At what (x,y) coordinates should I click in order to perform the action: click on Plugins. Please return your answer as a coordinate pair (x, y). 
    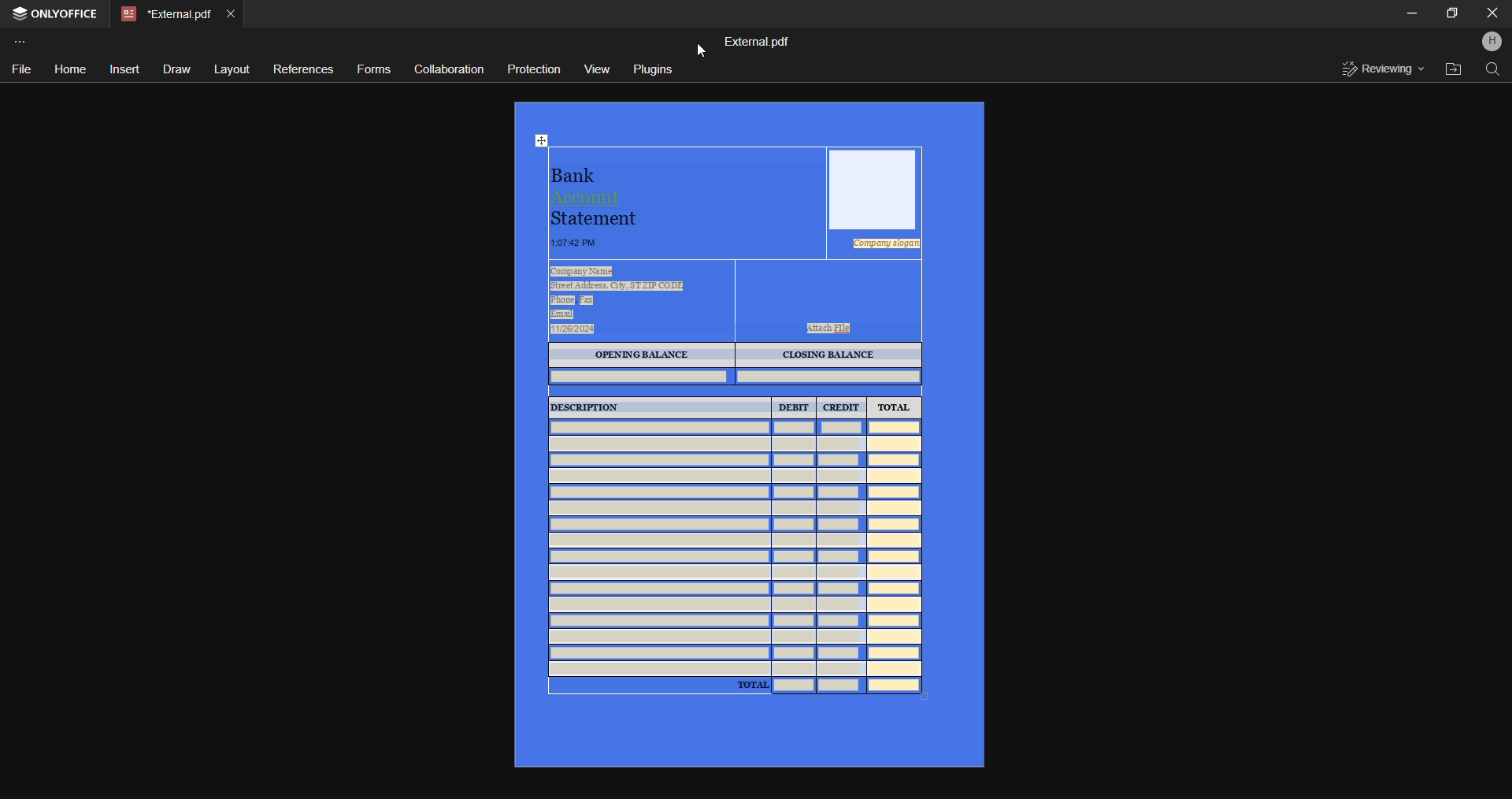
    Looking at the image, I should click on (651, 67).